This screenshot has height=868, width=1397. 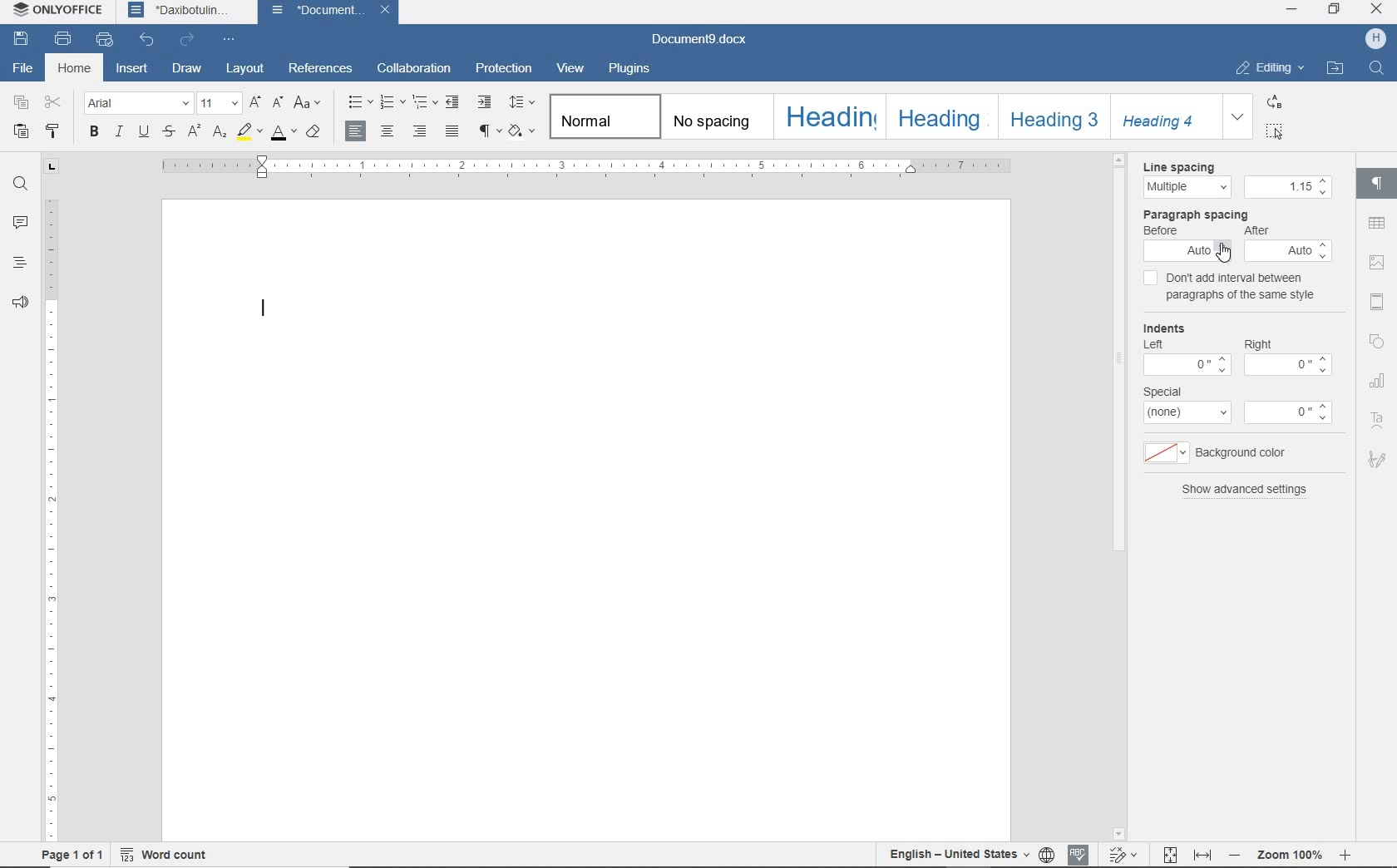 What do you see at coordinates (188, 11) in the screenshot?
I see `Daxibotulin...` at bounding box center [188, 11].